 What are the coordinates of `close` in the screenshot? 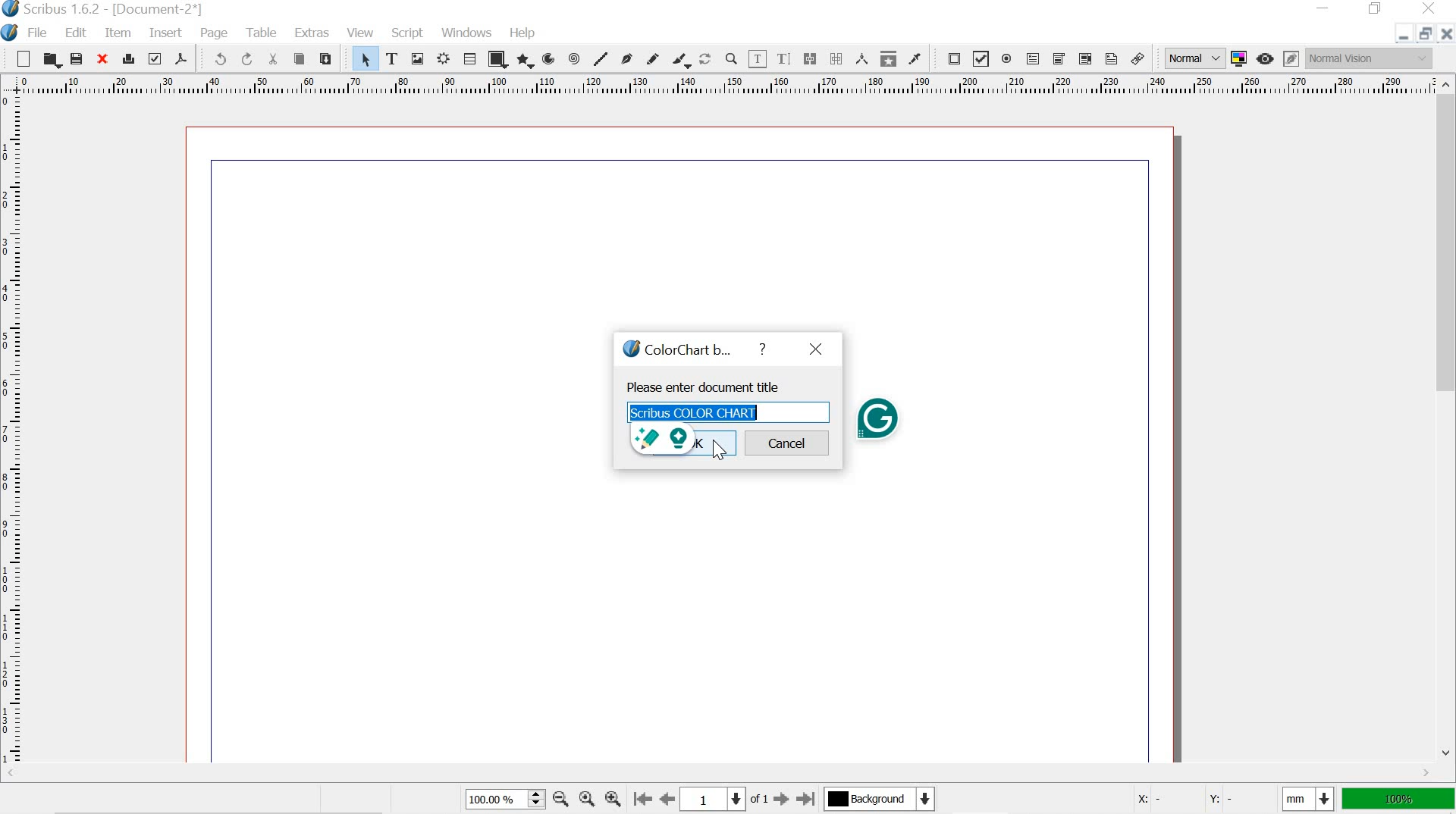 It's located at (814, 349).